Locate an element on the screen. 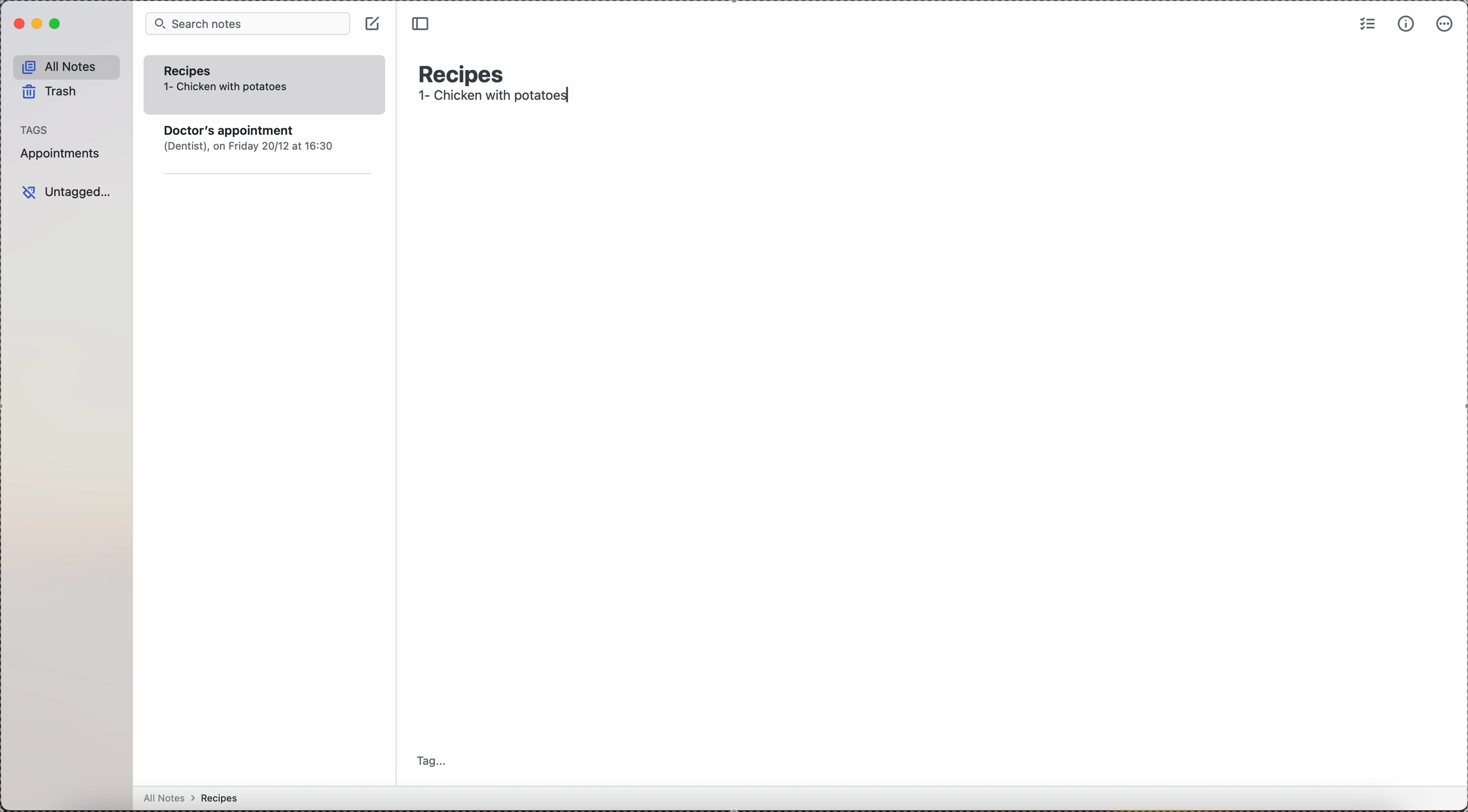  recipes note is located at coordinates (264, 85).